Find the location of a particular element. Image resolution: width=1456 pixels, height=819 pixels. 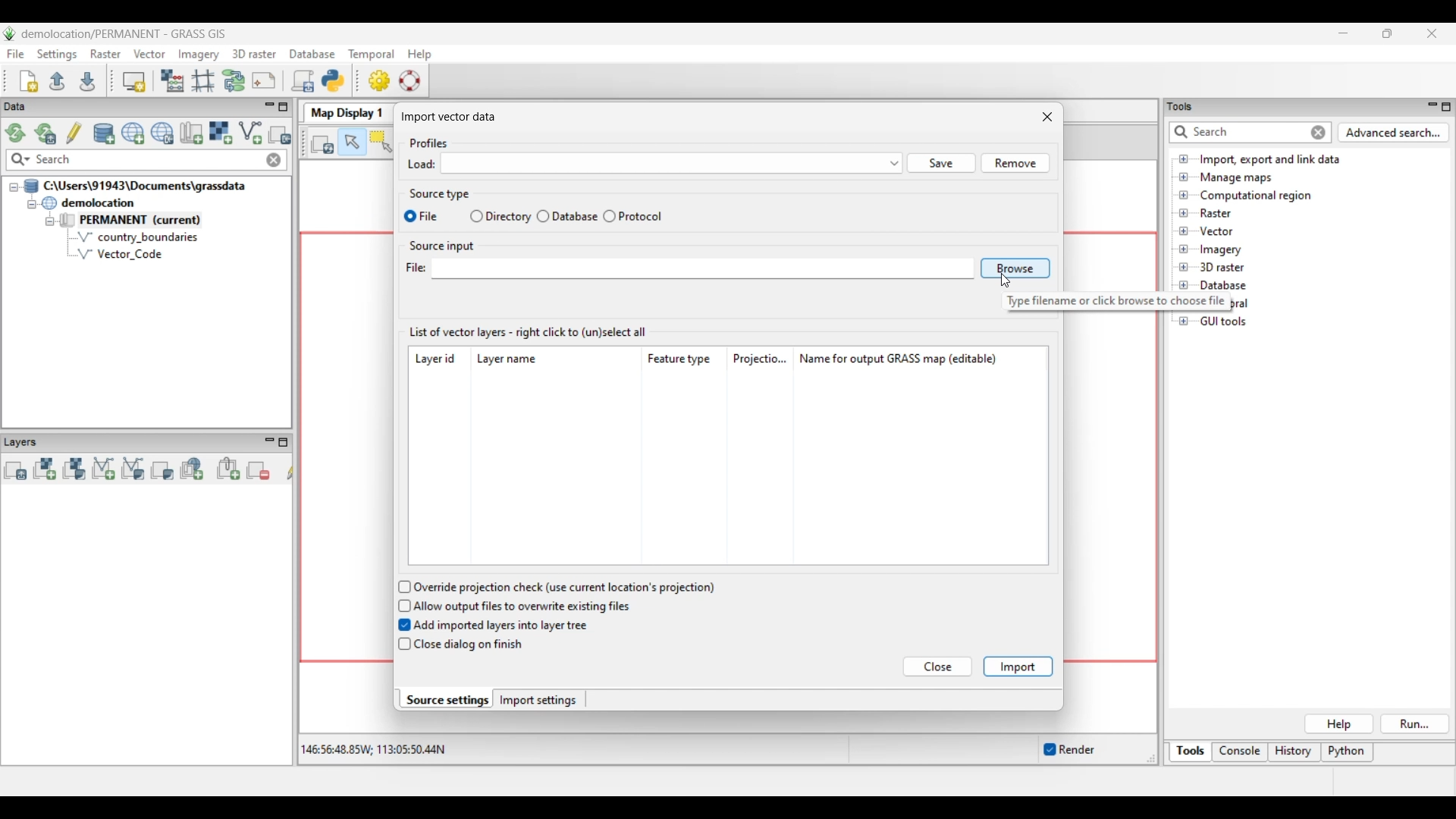

Collapse demolition is located at coordinates (31, 205).